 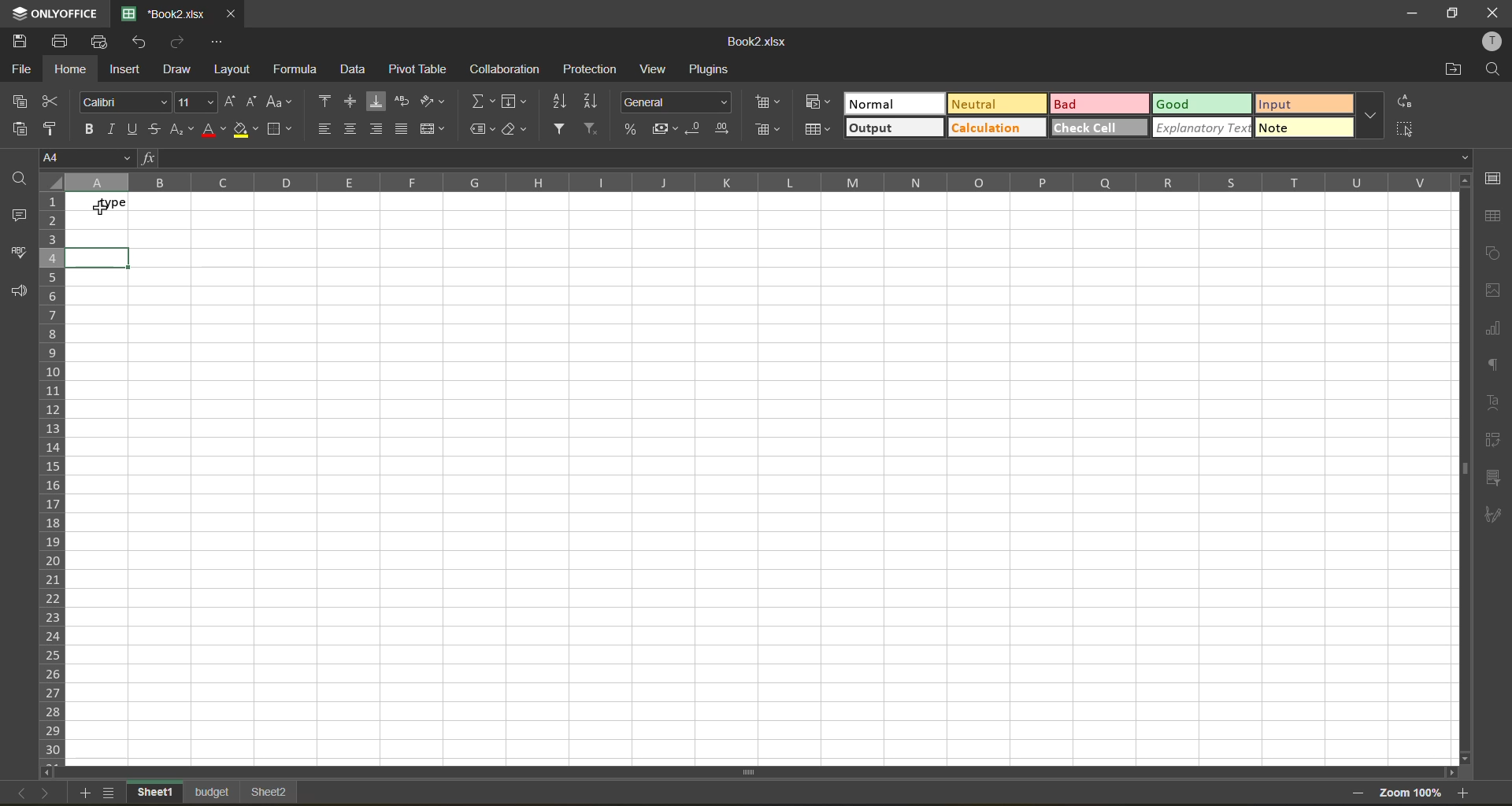 What do you see at coordinates (213, 792) in the screenshot?
I see `sheet names` at bounding box center [213, 792].